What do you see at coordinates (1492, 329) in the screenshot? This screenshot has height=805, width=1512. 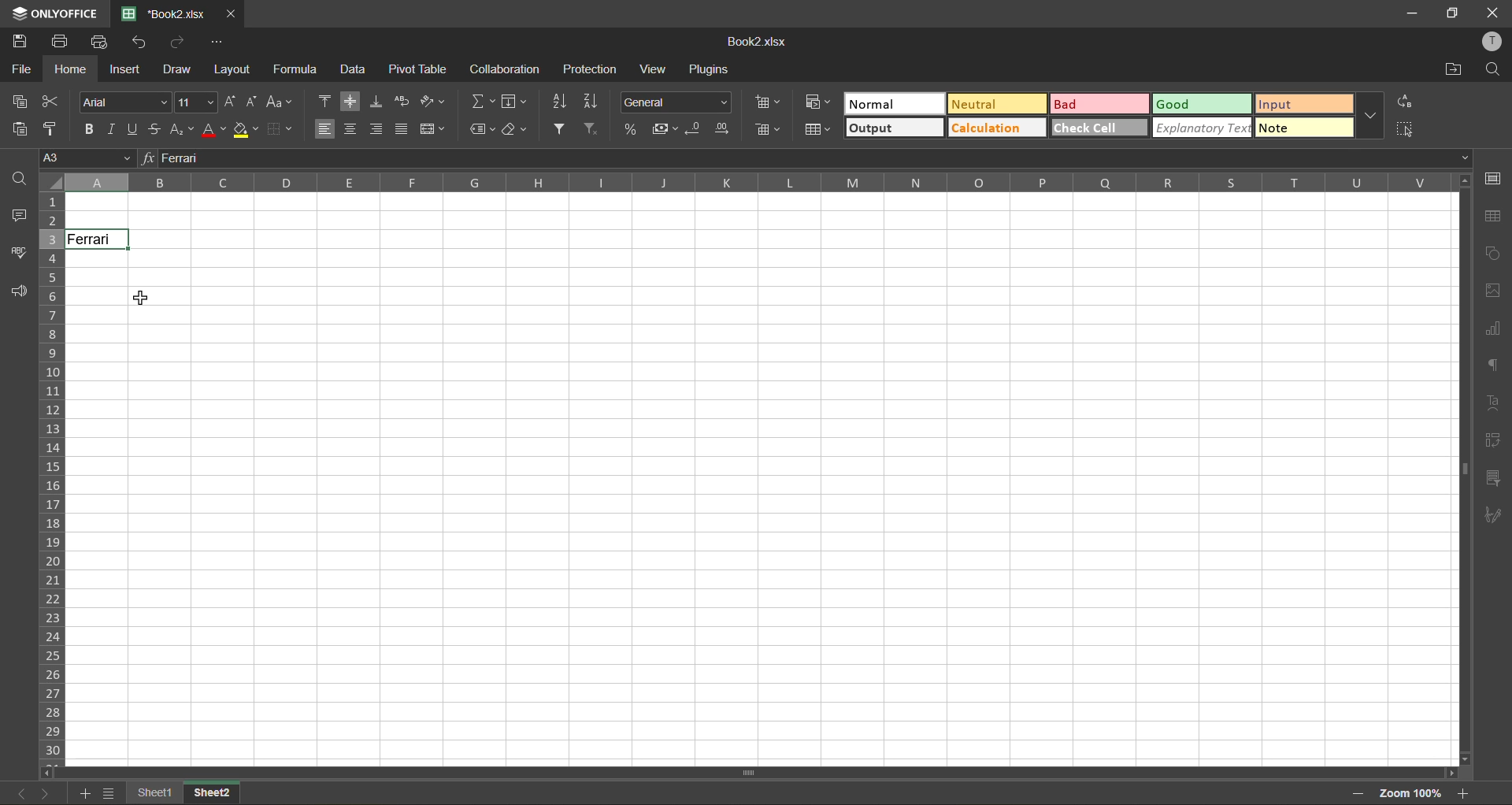 I see `charts` at bounding box center [1492, 329].